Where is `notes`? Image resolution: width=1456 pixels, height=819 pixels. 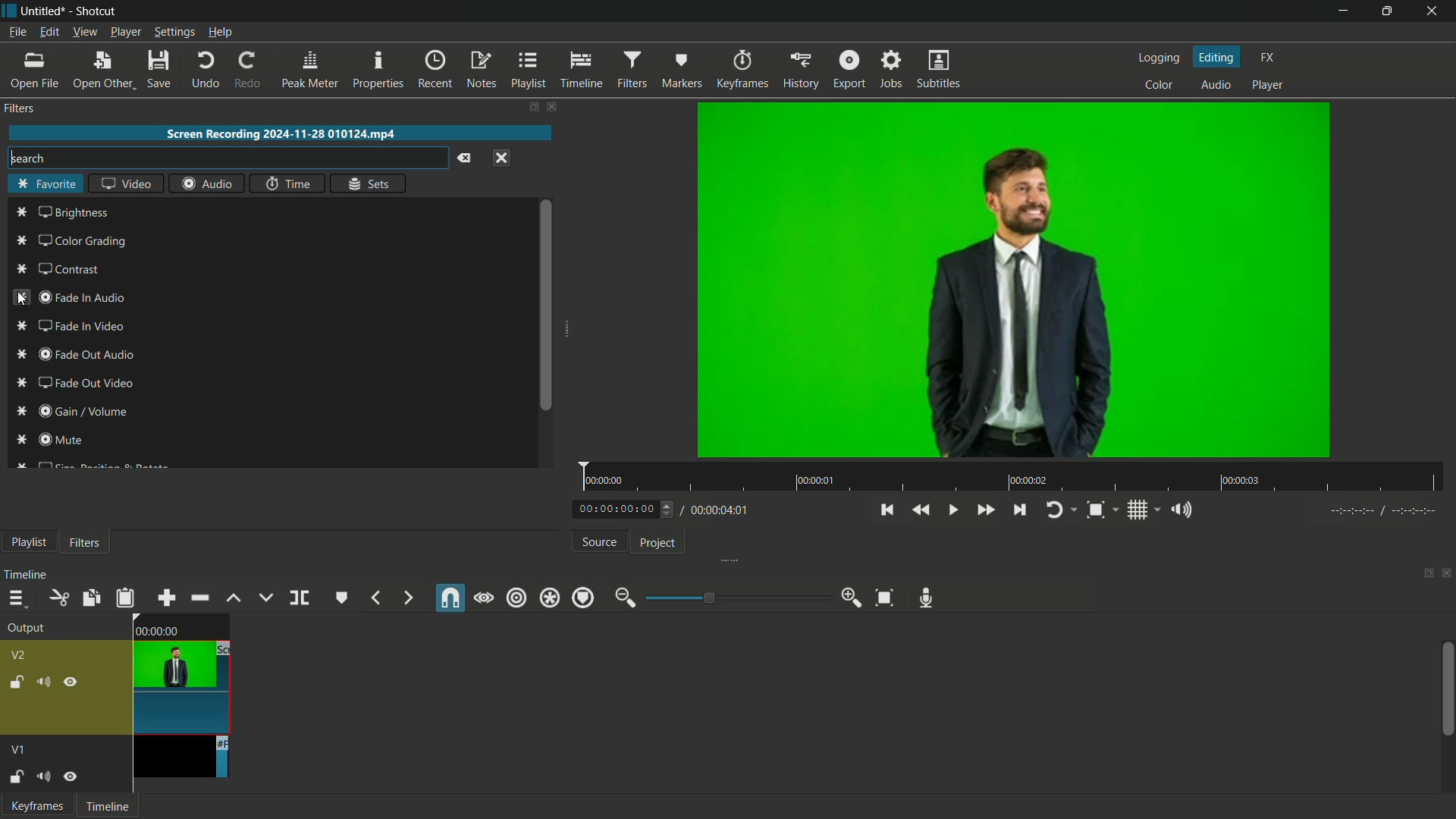
notes is located at coordinates (481, 71).